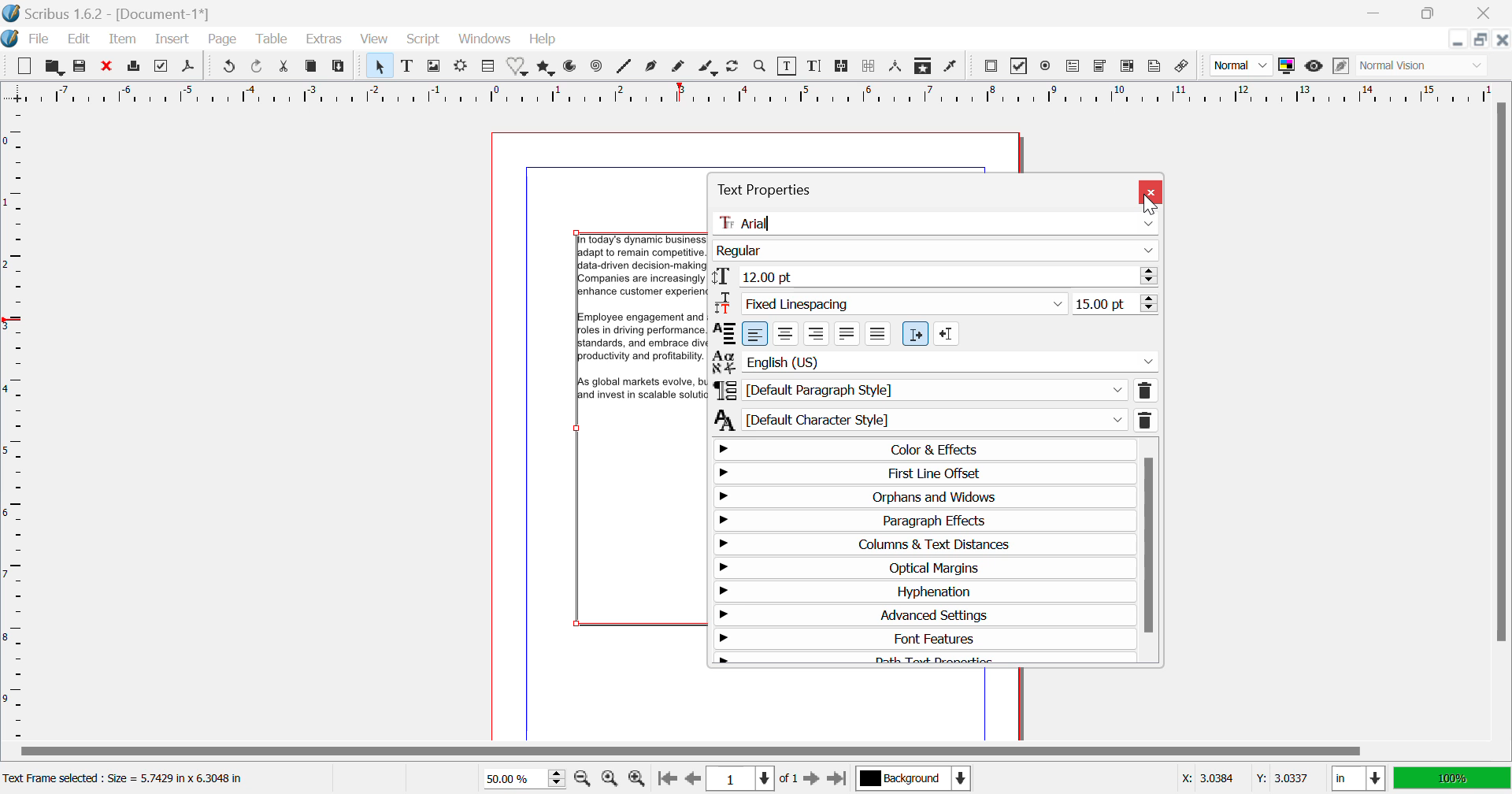 The height and width of the screenshot is (794, 1512). What do you see at coordinates (934, 421) in the screenshot?
I see `Default Character Style` at bounding box center [934, 421].